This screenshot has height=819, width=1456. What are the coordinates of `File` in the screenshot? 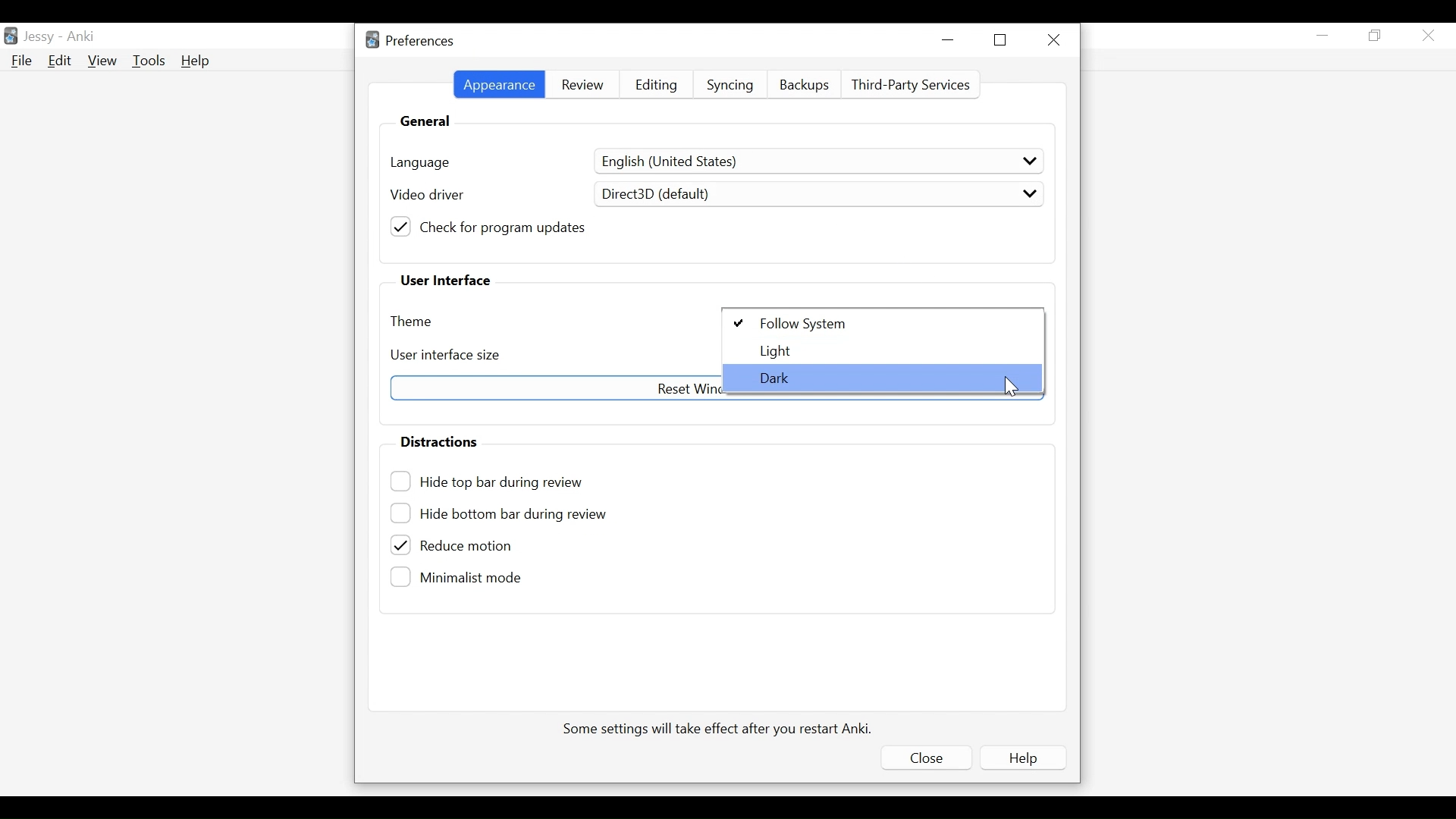 It's located at (22, 60).